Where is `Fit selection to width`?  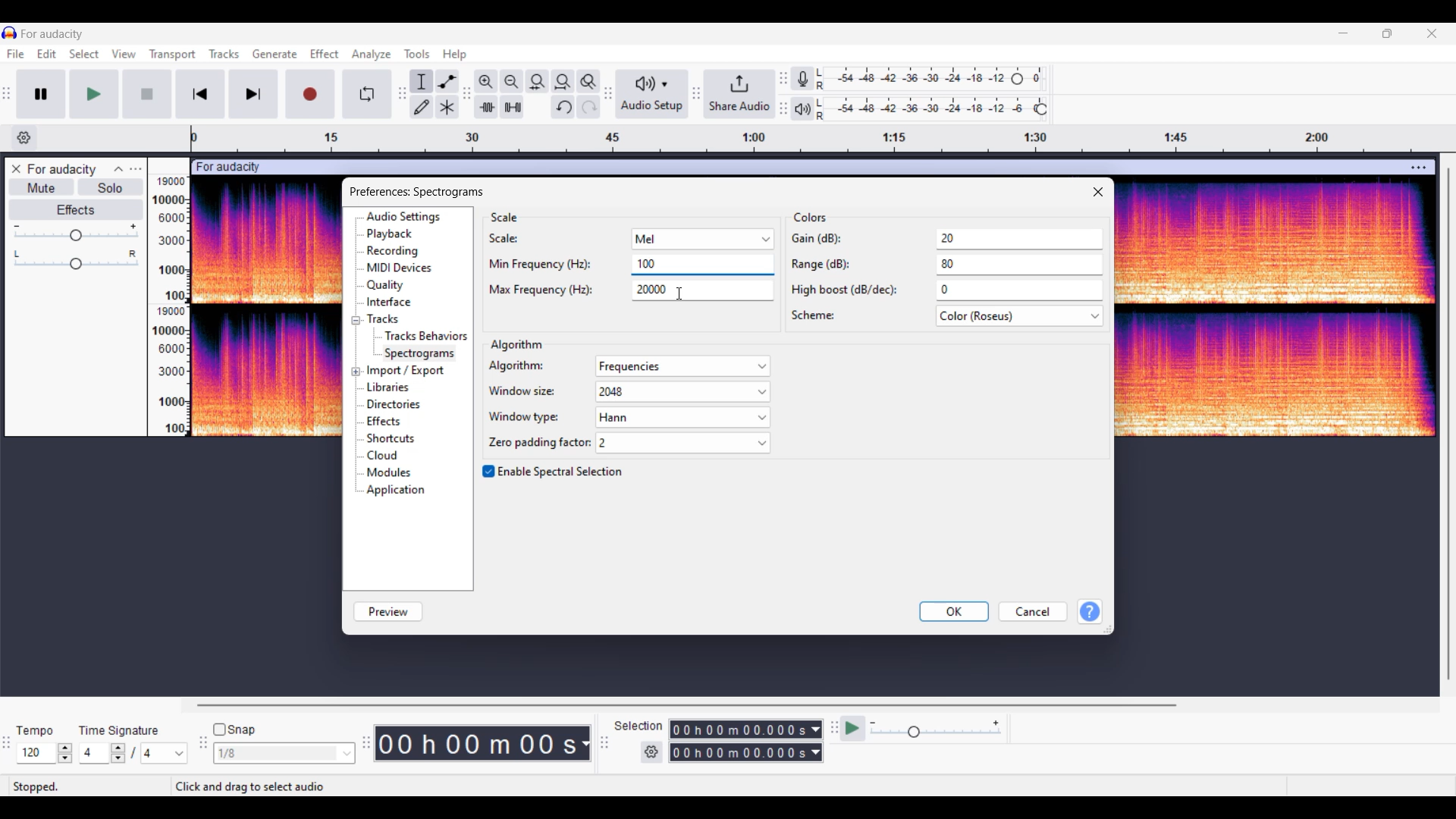 Fit selection to width is located at coordinates (538, 82).